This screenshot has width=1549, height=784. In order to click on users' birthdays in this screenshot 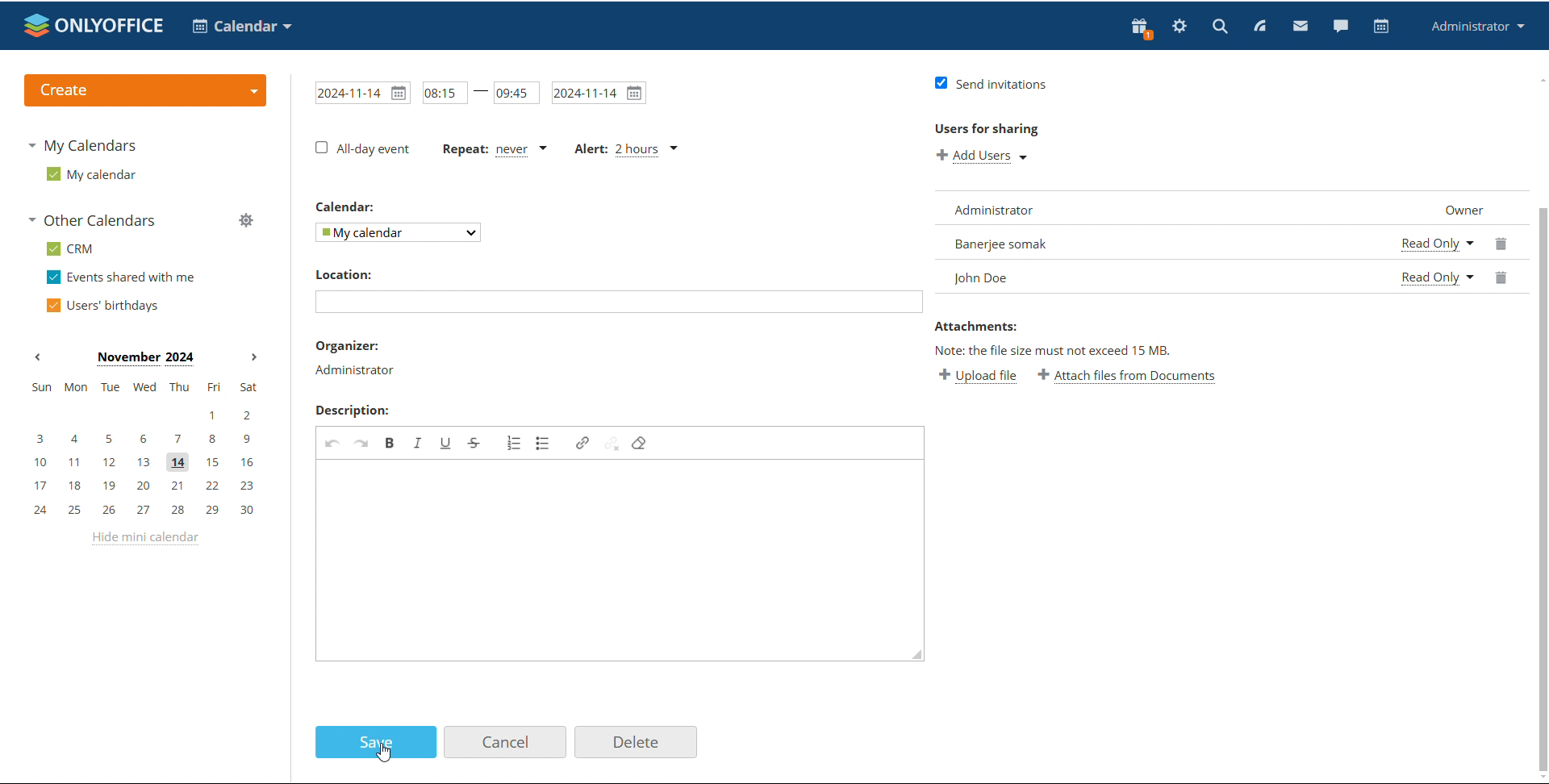, I will do `click(103, 306)`.